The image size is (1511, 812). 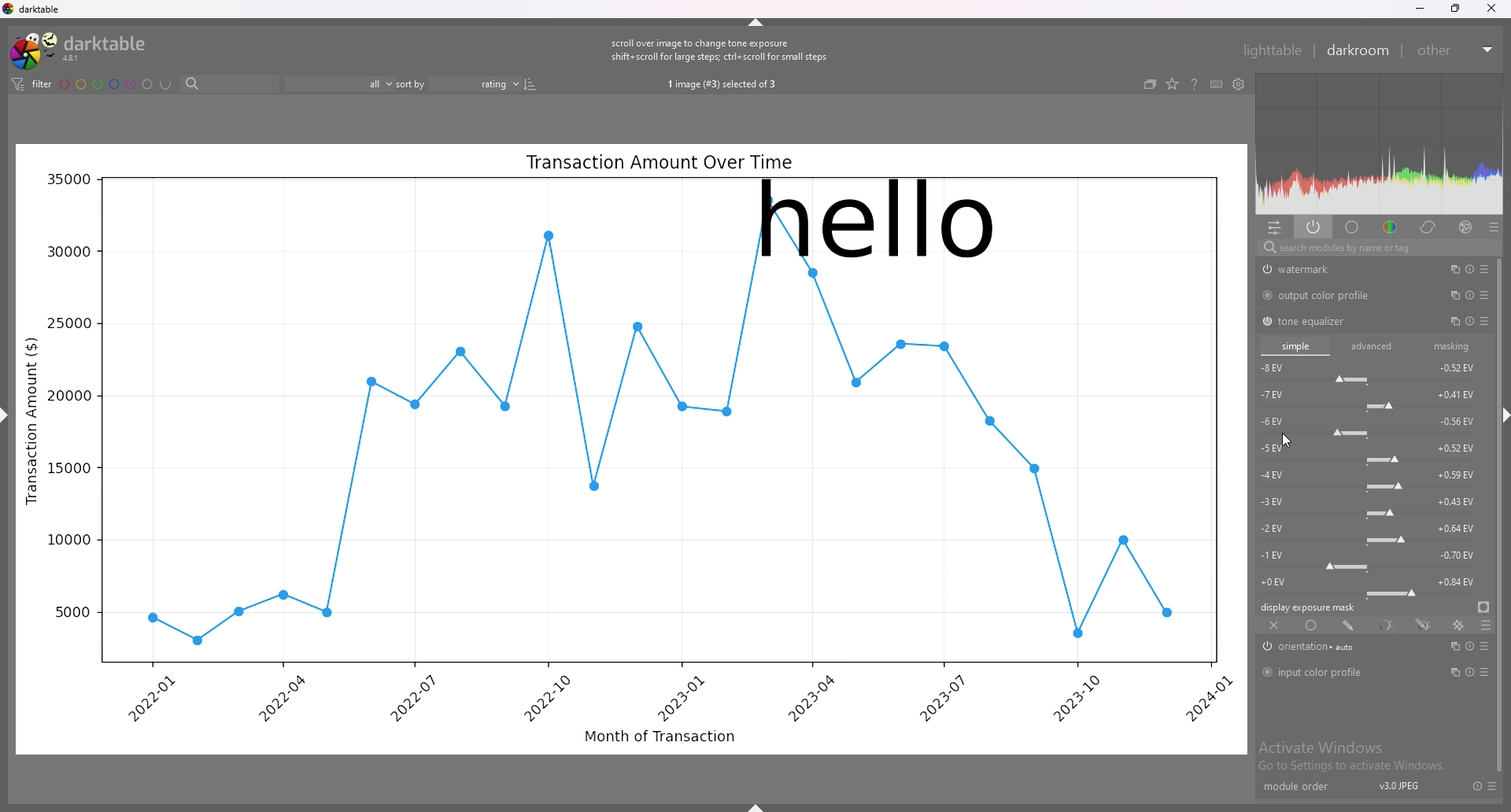 I want to click on resize, so click(x=1454, y=9).